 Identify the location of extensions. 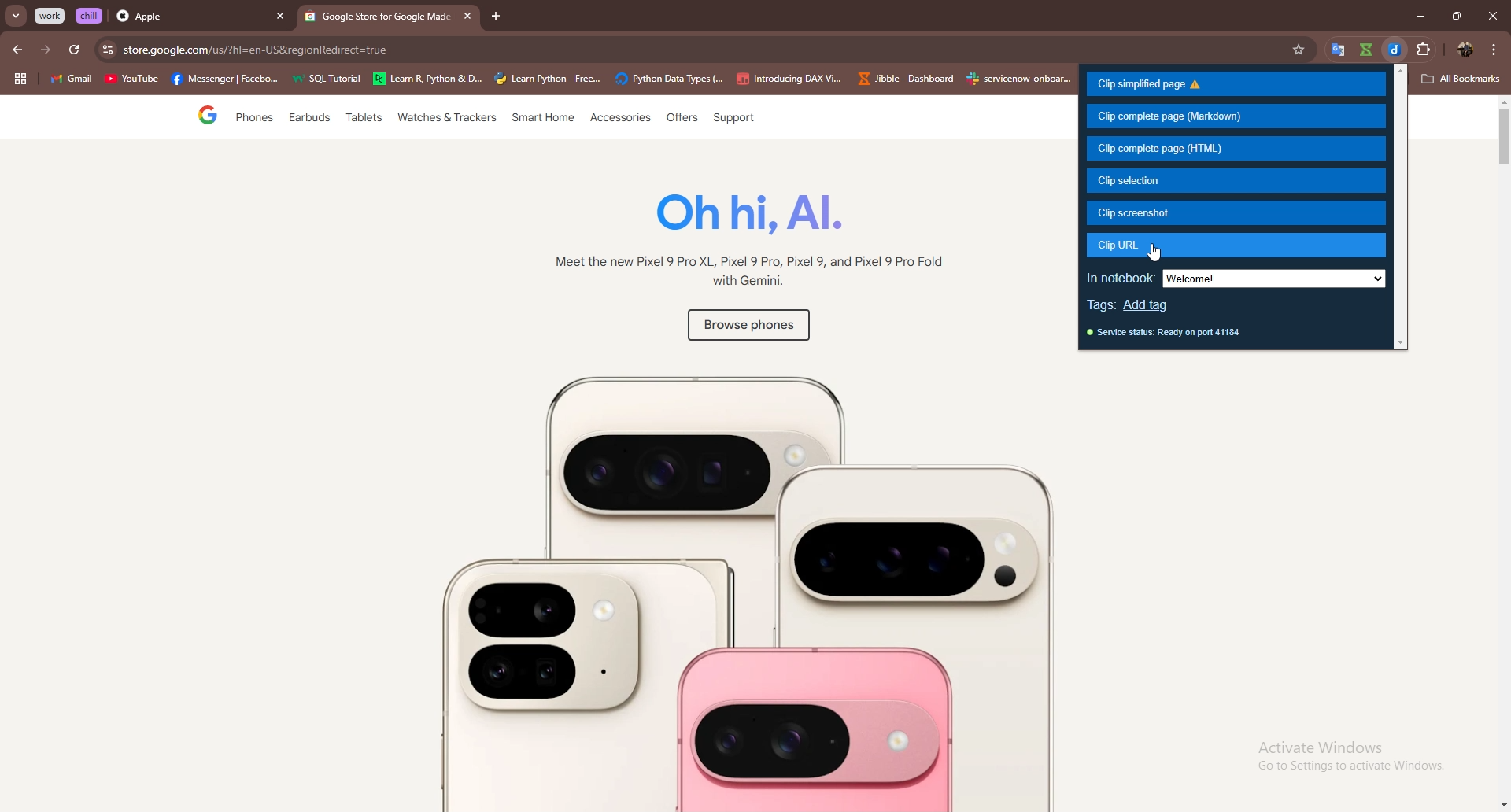
(1424, 50).